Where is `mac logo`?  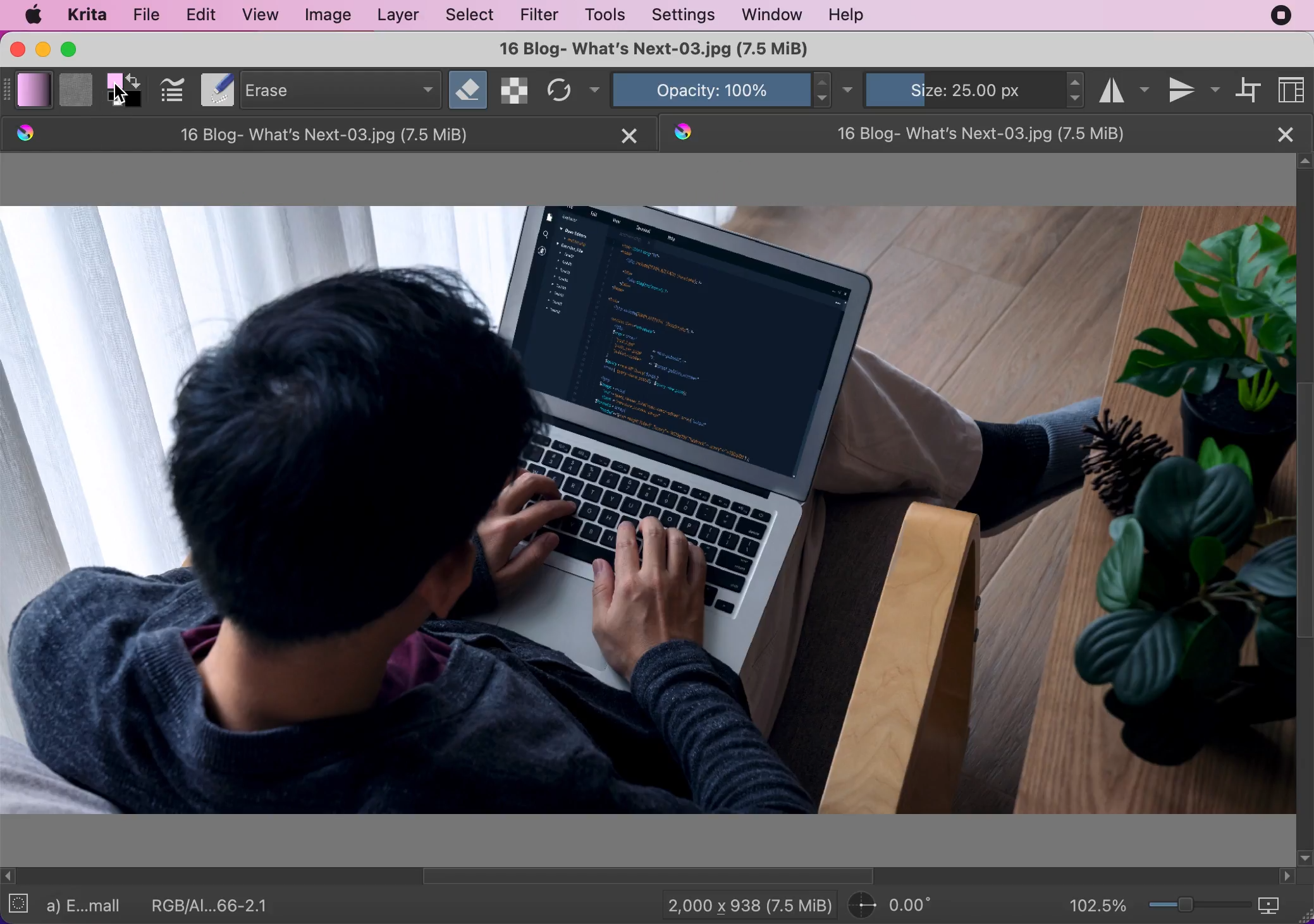
mac logo is located at coordinates (34, 15).